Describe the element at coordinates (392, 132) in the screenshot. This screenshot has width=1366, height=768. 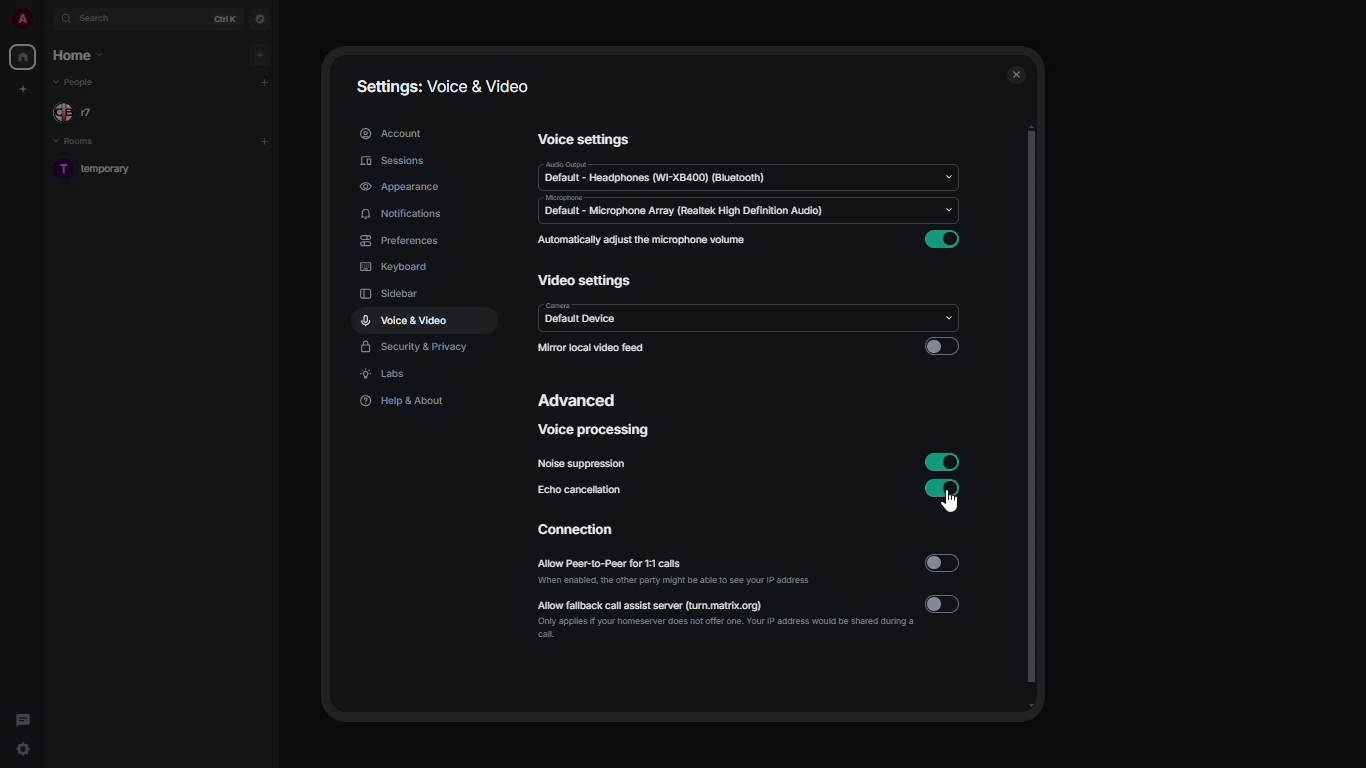
I see `account` at that location.